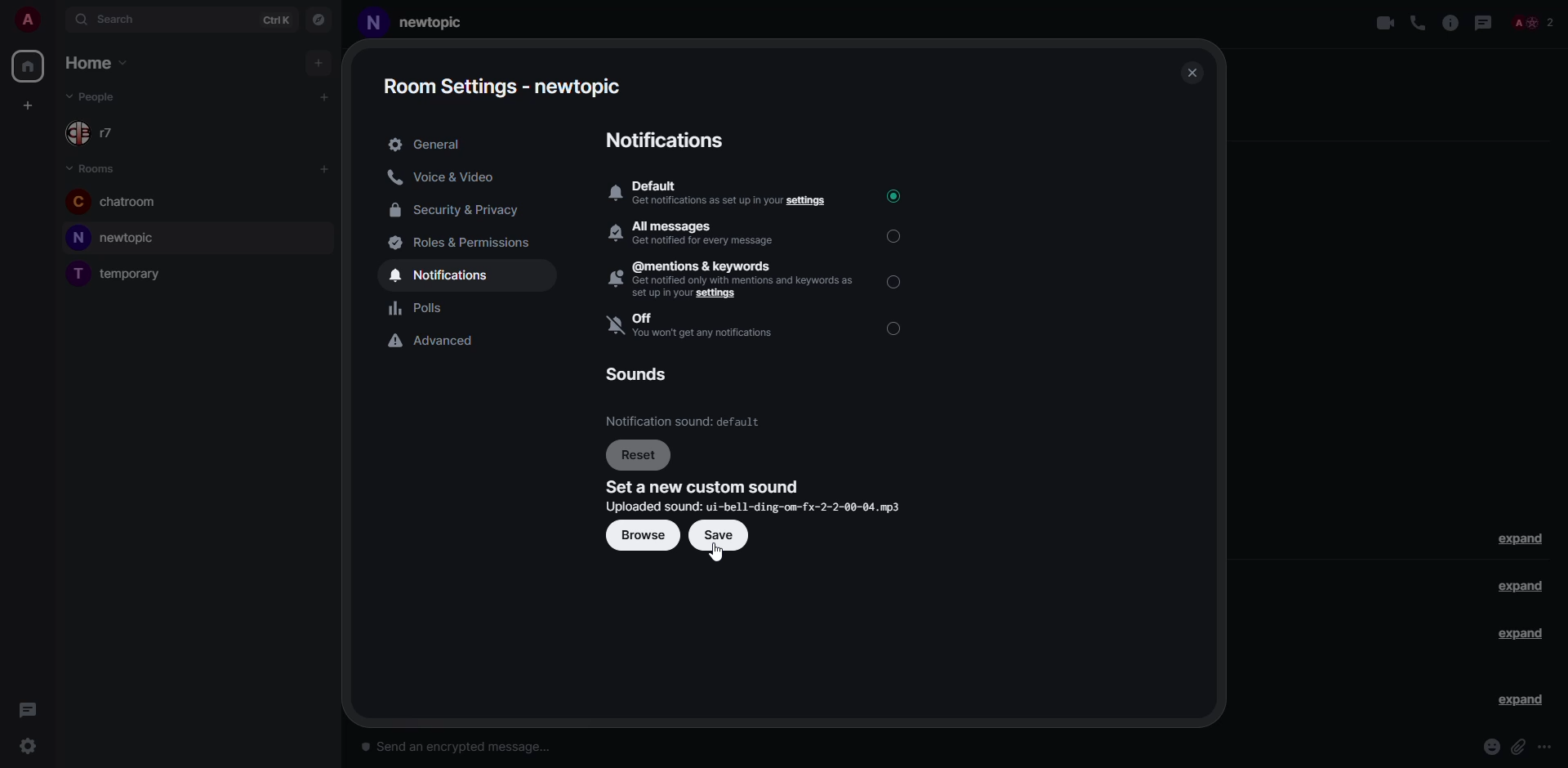  I want to click on selected, so click(893, 195).